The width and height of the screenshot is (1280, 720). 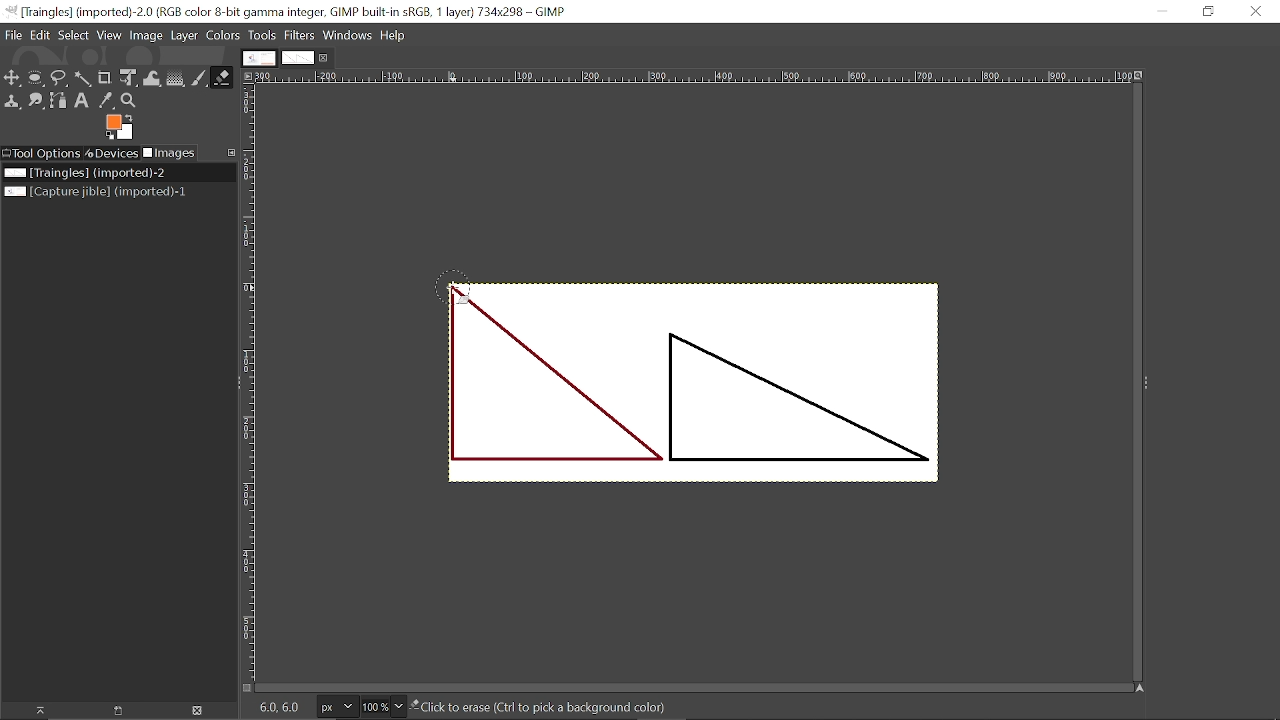 What do you see at coordinates (559, 709) in the screenshot?
I see `click to erase (Ctrl to pick a background color)` at bounding box center [559, 709].